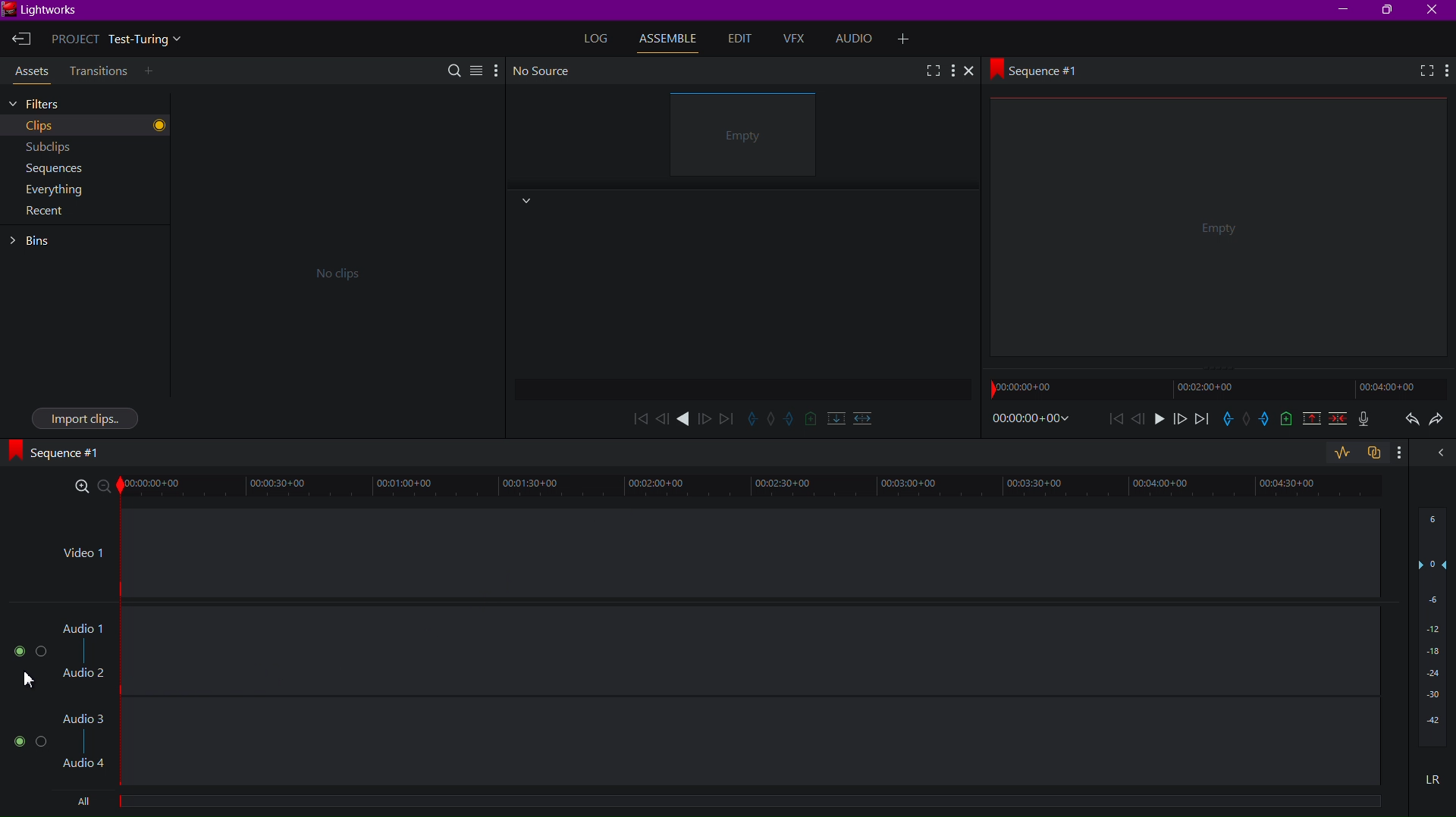 The image size is (1456, 817). What do you see at coordinates (80, 557) in the screenshot?
I see `Video 1` at bounding box center [80, 557].